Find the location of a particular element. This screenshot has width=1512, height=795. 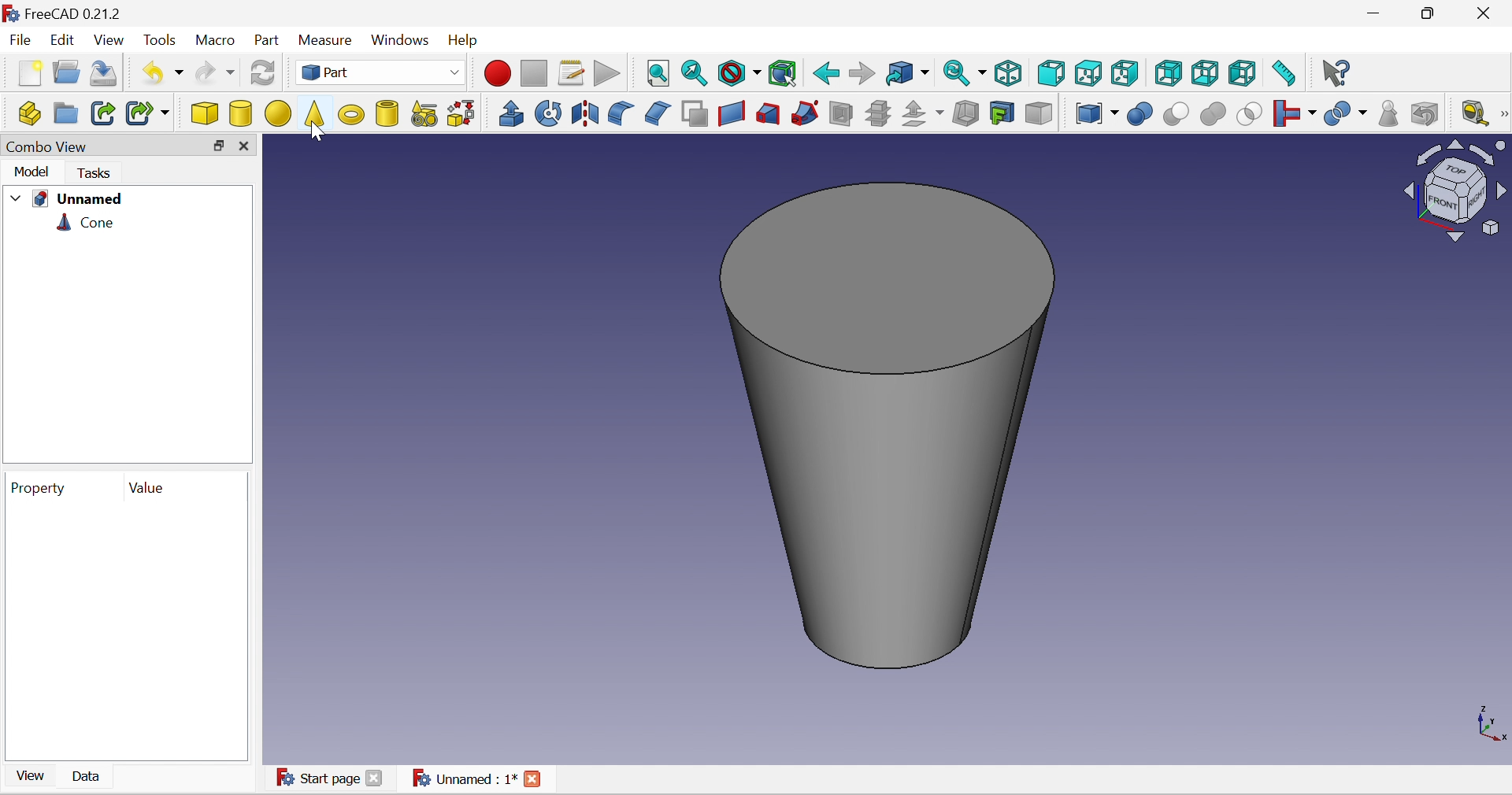

Defeaturing is located at coordinates (1423, 114).